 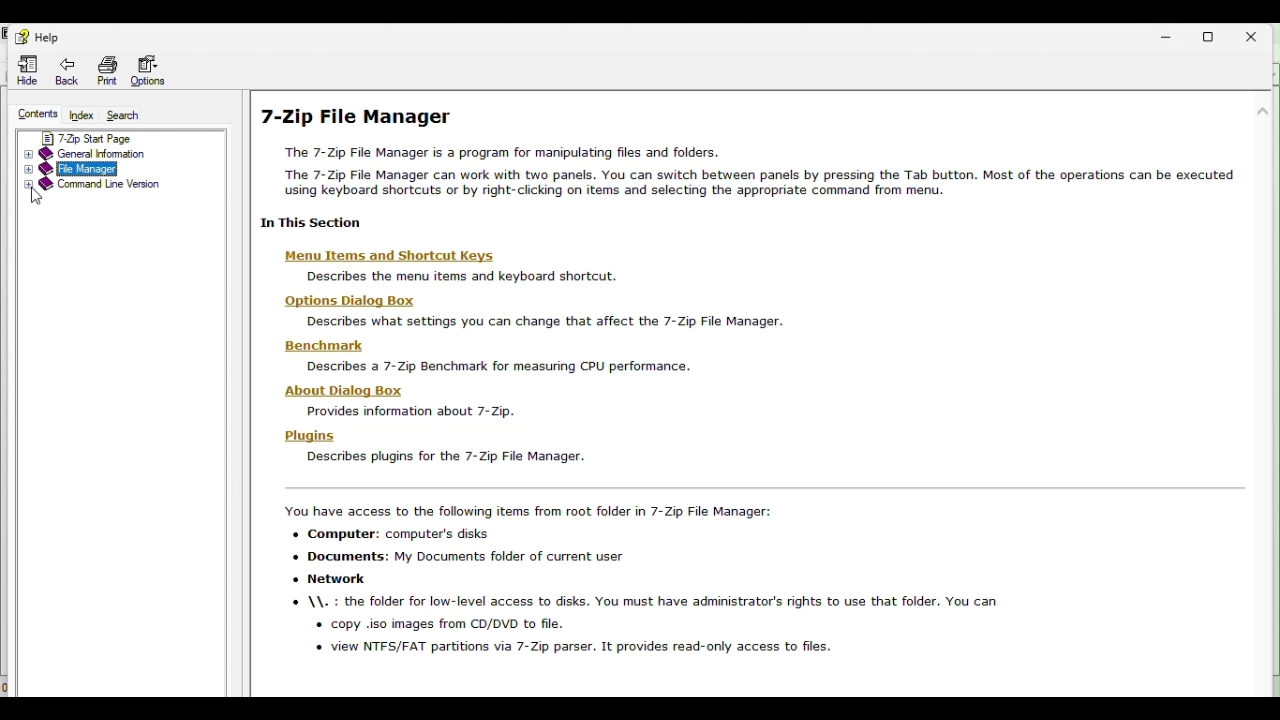 What do you see at coordinates (1265, 313) in the screenshot?
I see `scroll bar` at bounding box center [1265, 313].